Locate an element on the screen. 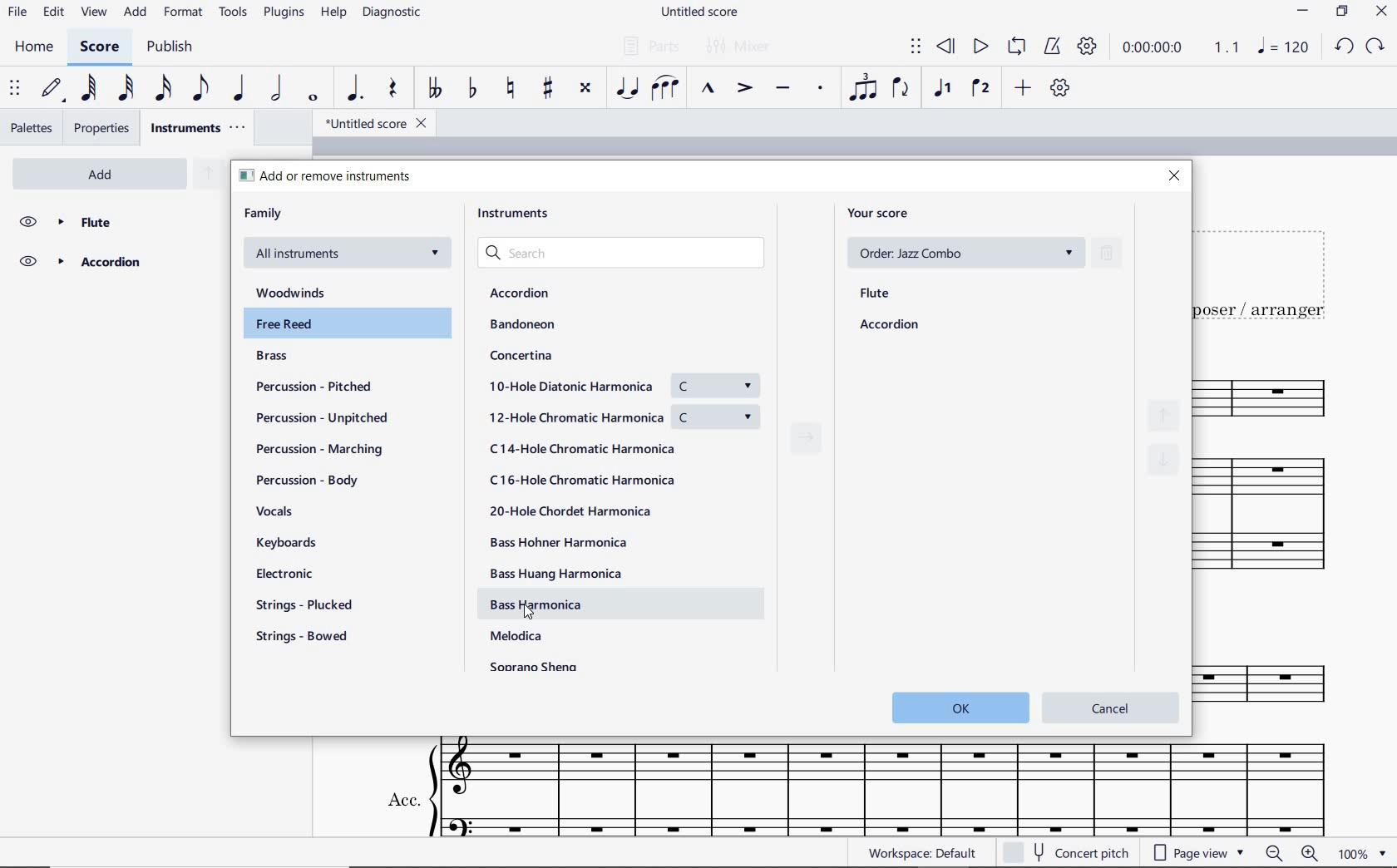 The height and width of the screenshot is (868, 1397). brass is located at coordinates (270, 358).